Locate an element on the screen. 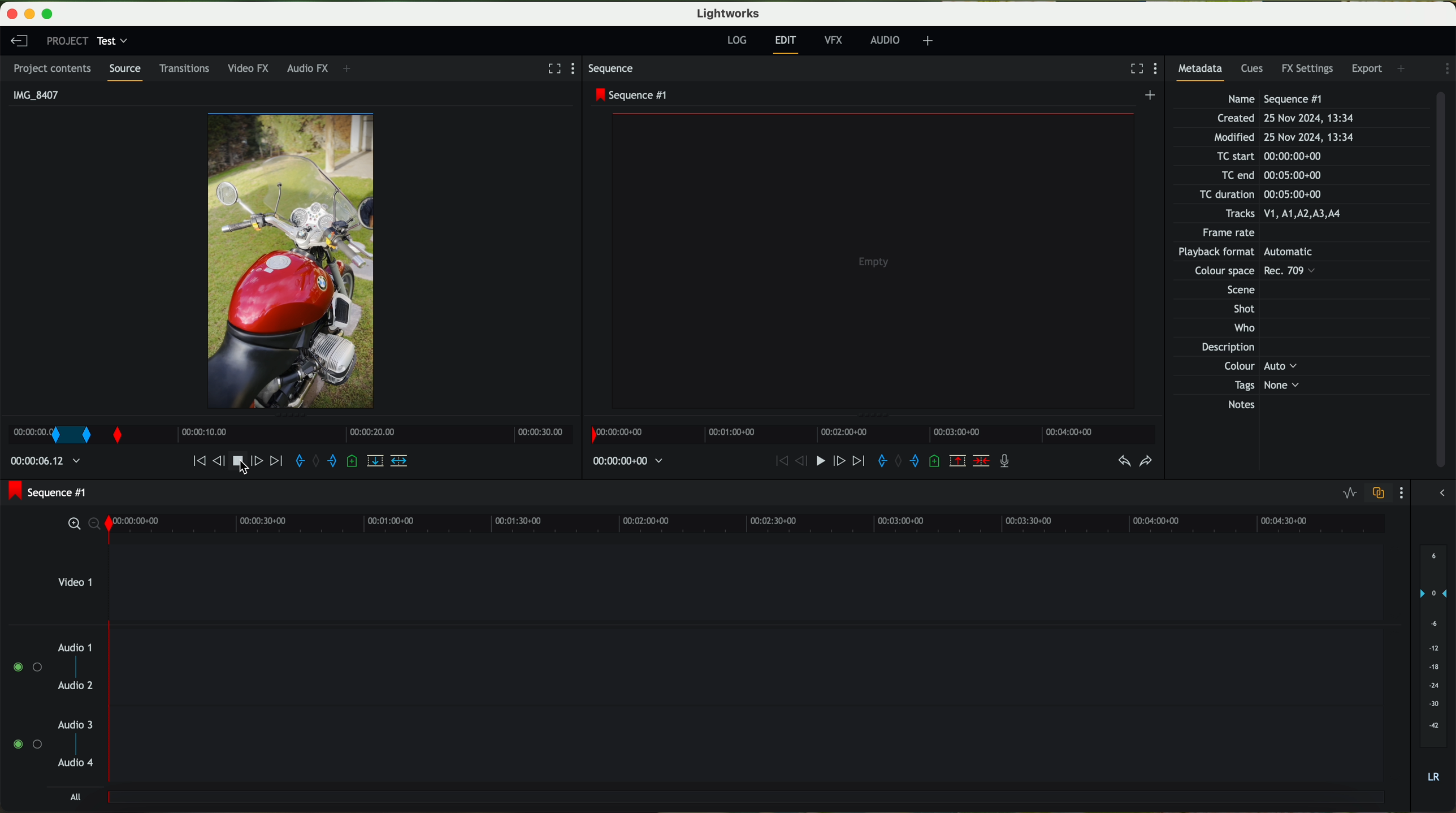   is located at coordinates (1236, 288).